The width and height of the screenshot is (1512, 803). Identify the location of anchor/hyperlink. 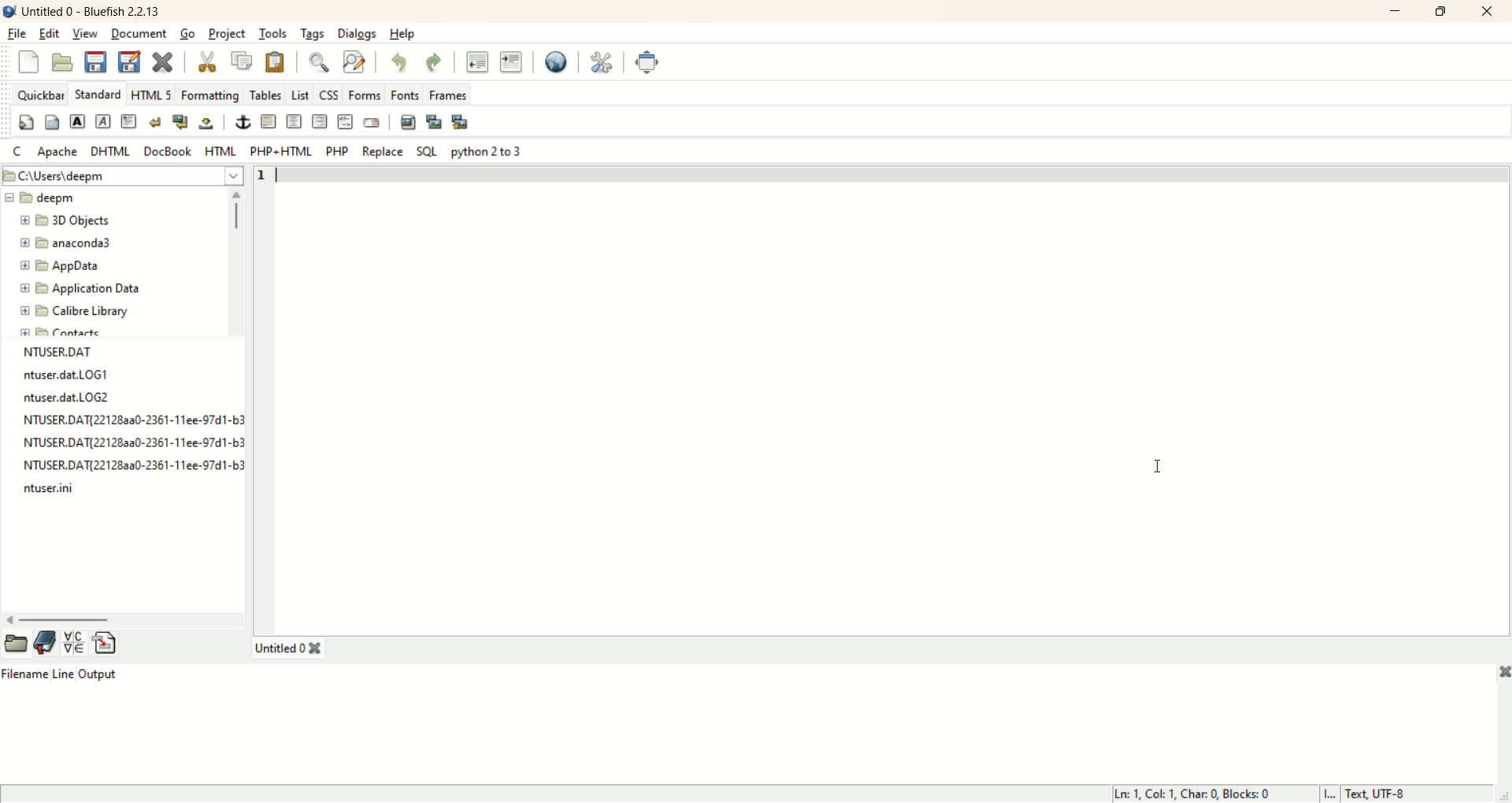
(243, 124).